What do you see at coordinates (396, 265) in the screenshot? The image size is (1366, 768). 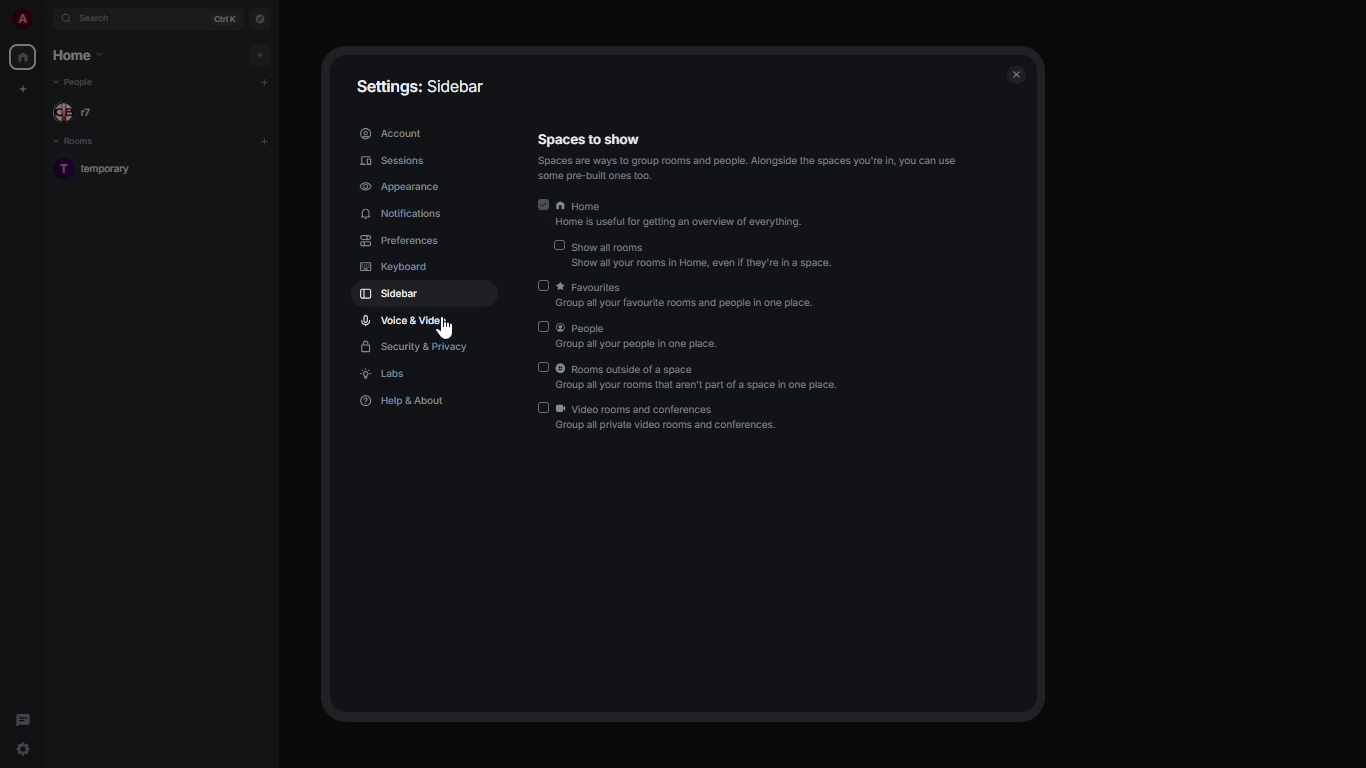 I see `keyboard` at bounding box center [396, 265].